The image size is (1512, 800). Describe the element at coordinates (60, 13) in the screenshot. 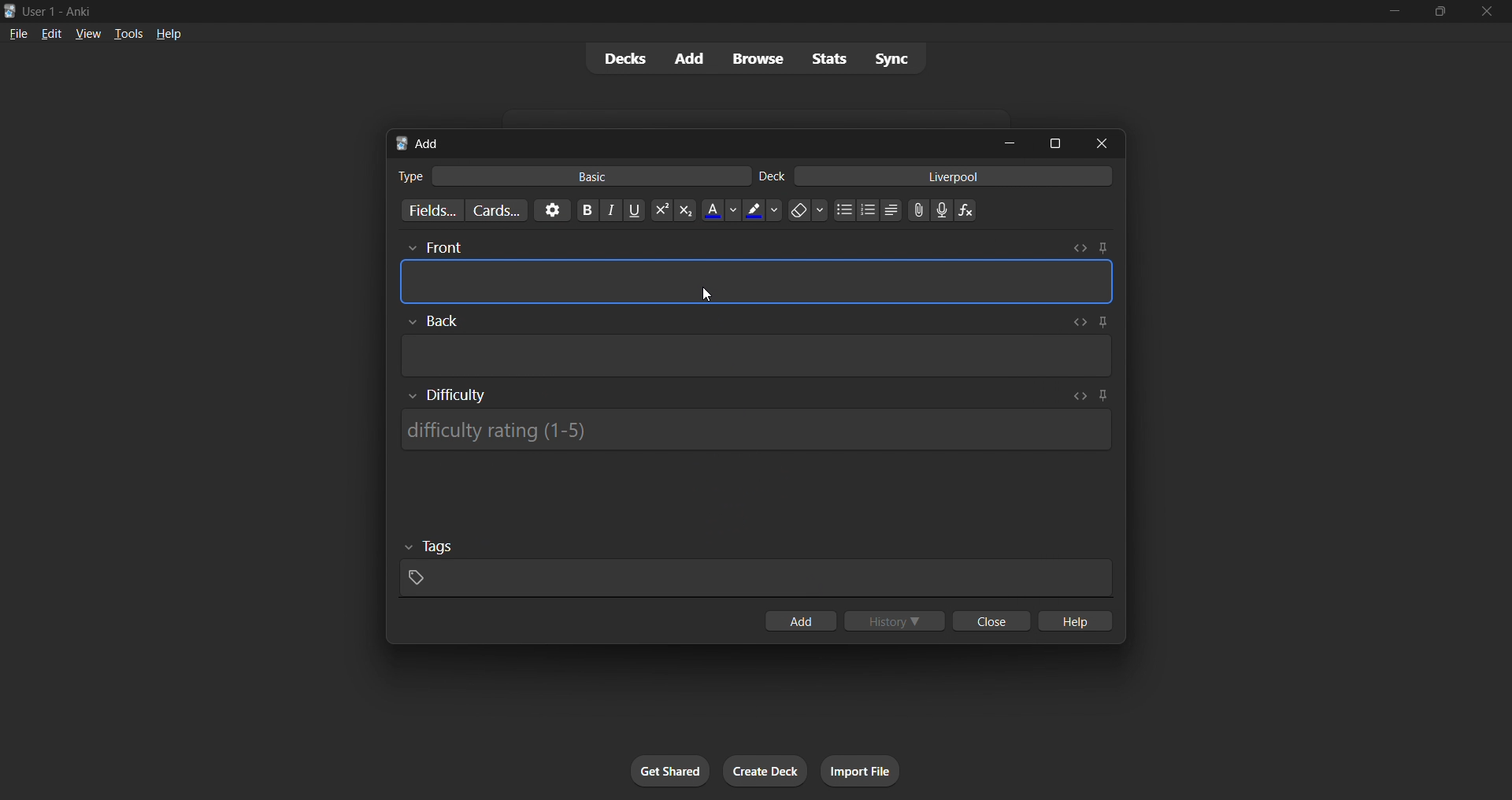

I see `Text` at that location.